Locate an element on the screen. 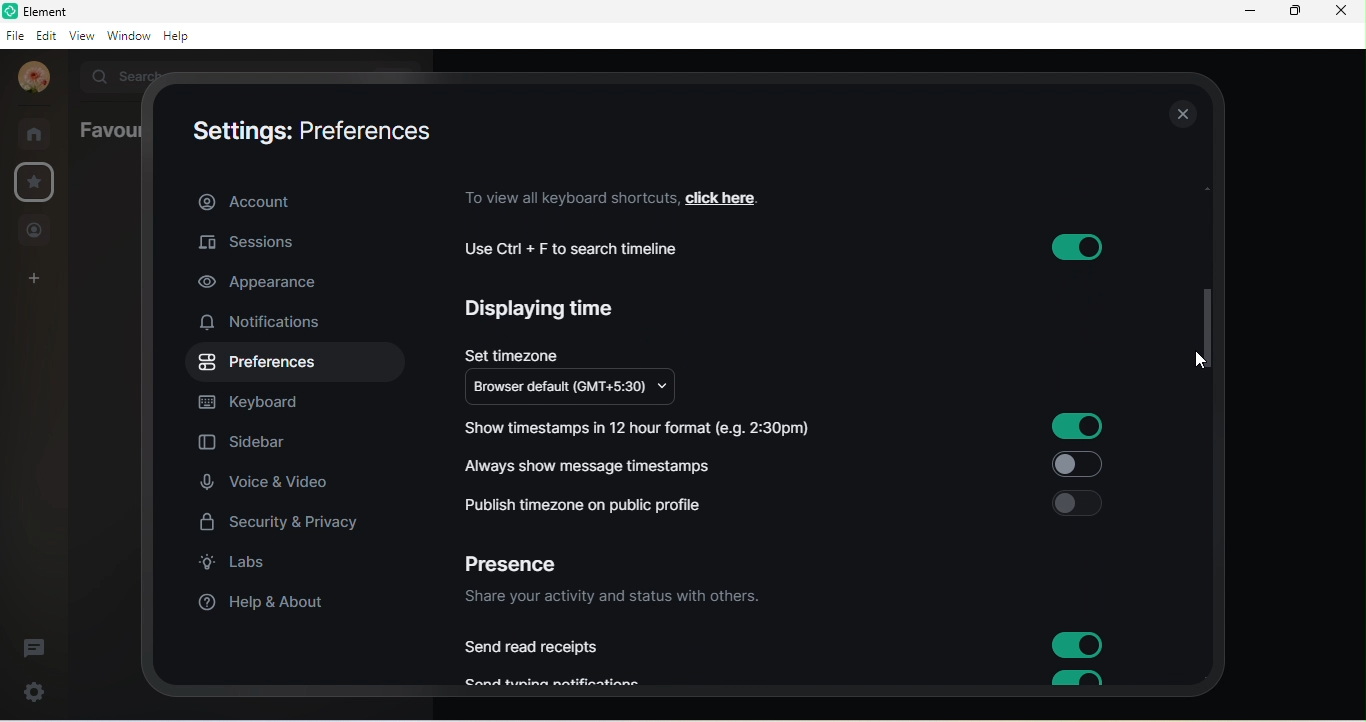  voice and video is located at coordinates (271, 484).